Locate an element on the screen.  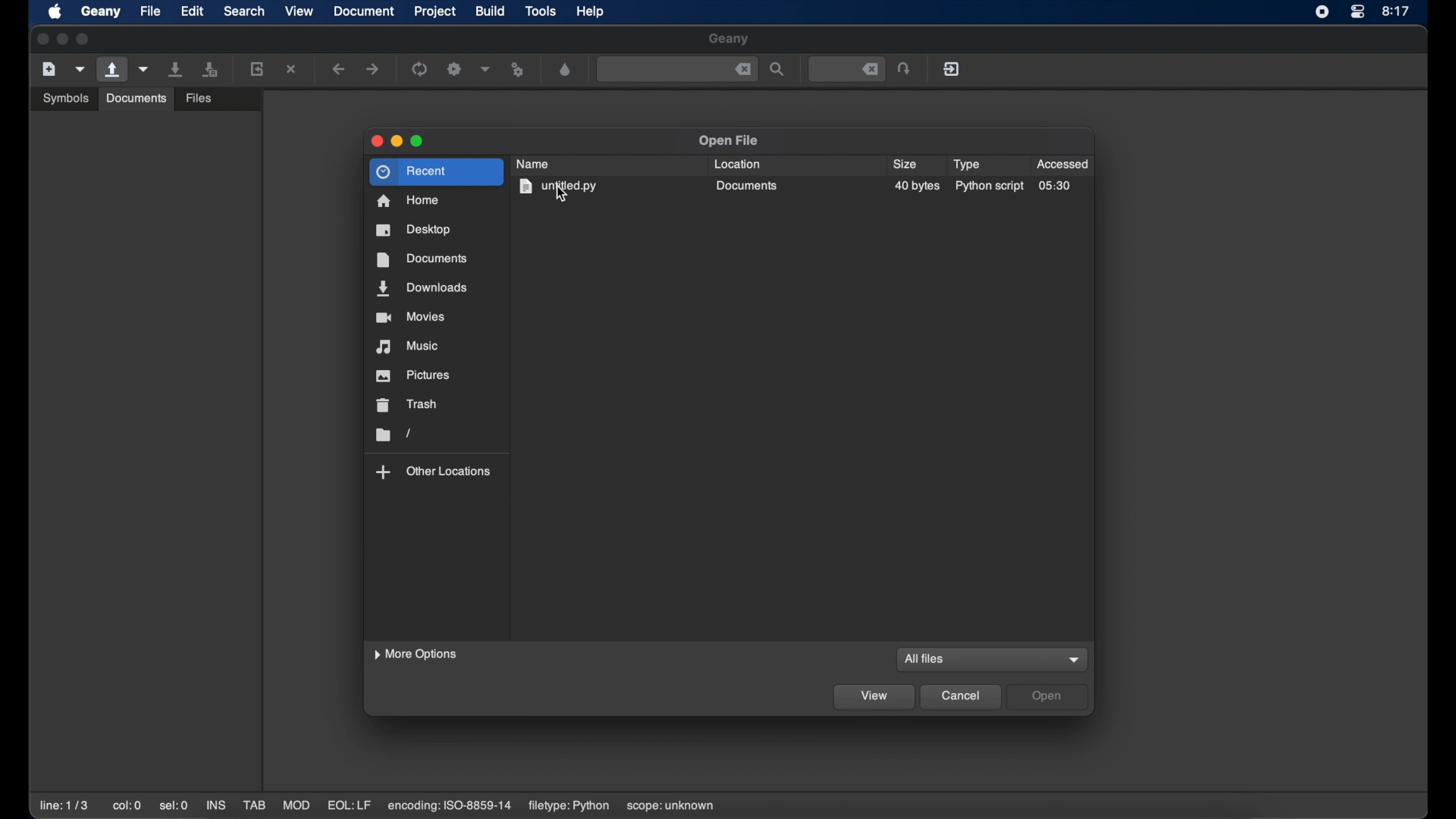
minimizing is located at coordinates (397, 141).